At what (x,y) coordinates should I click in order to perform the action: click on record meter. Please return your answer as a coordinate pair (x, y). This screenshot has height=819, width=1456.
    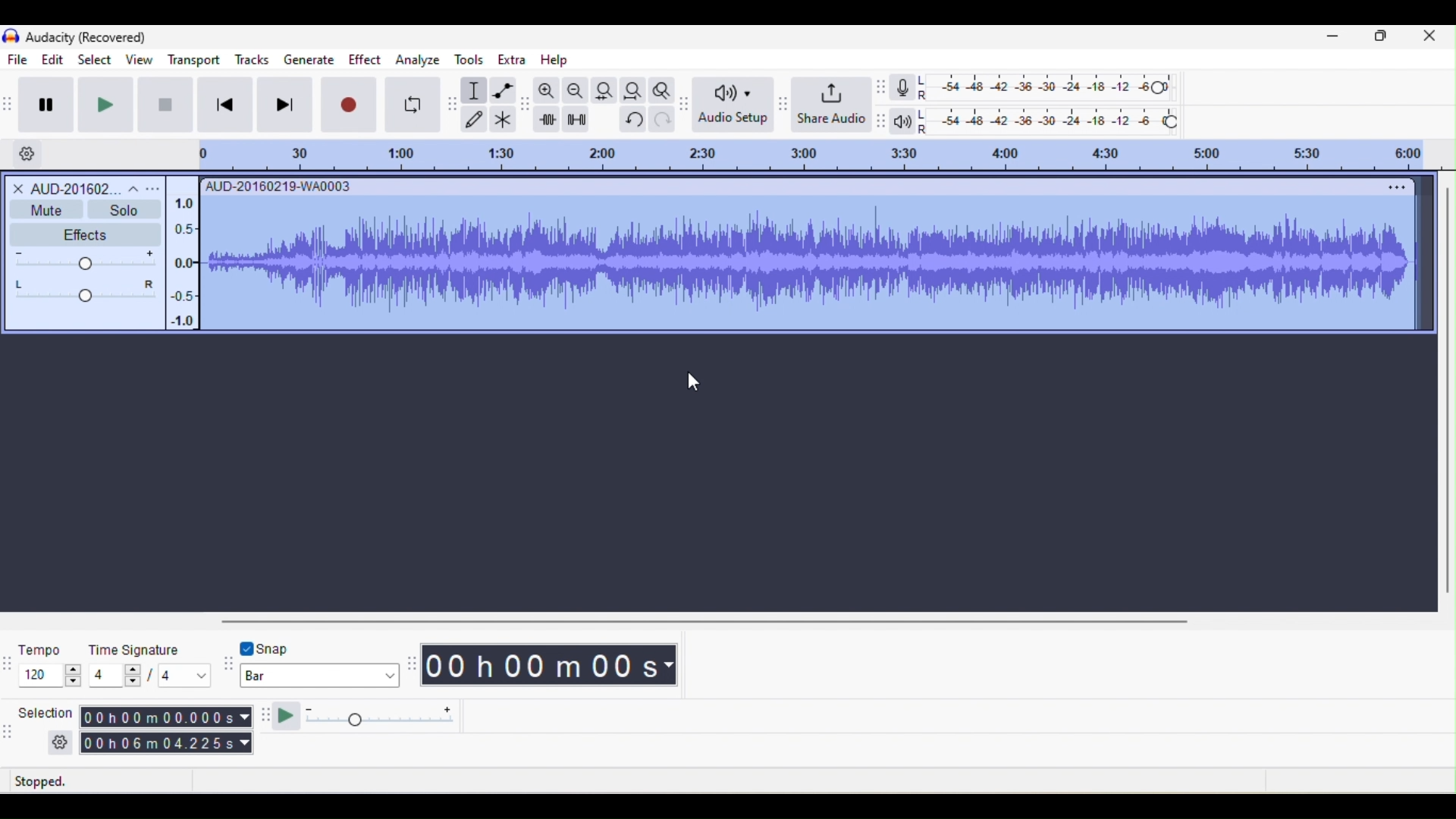
    Looking at the image, I should click on (903, 88).